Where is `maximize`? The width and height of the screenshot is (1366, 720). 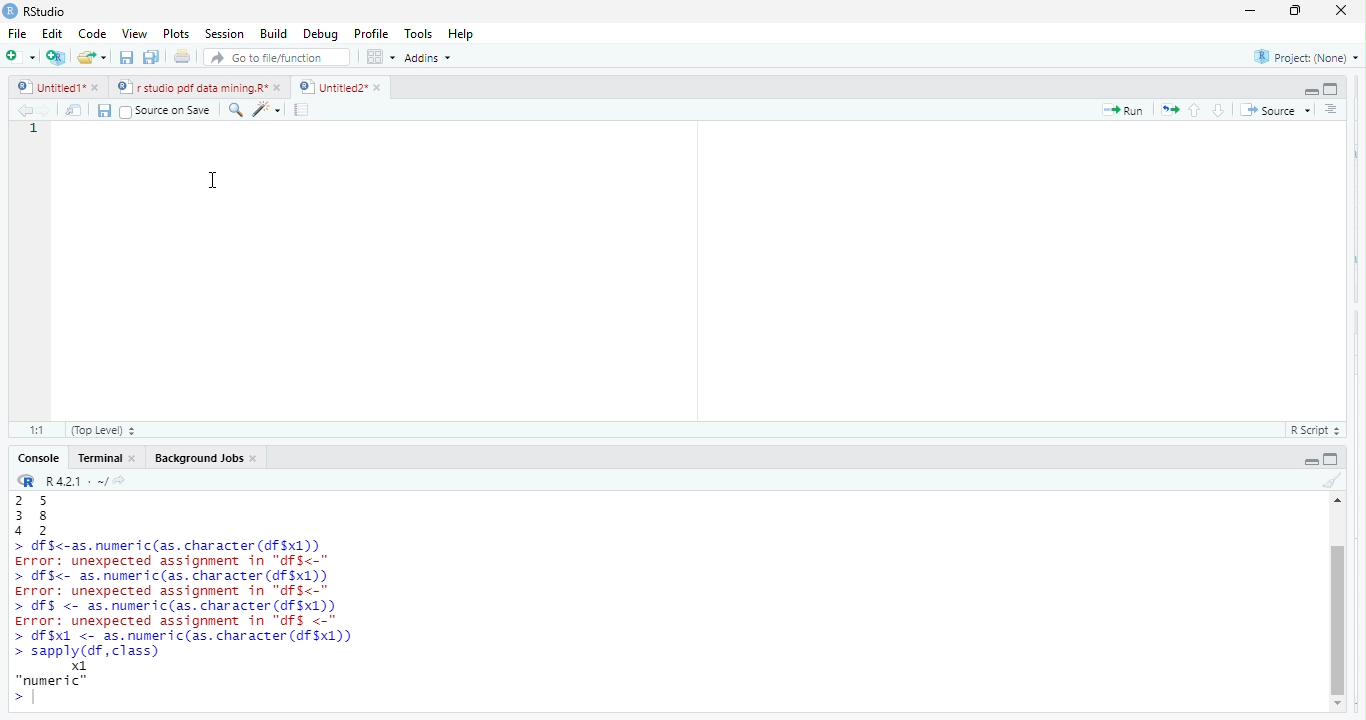 maximize is located at coordinates (1294, 11).